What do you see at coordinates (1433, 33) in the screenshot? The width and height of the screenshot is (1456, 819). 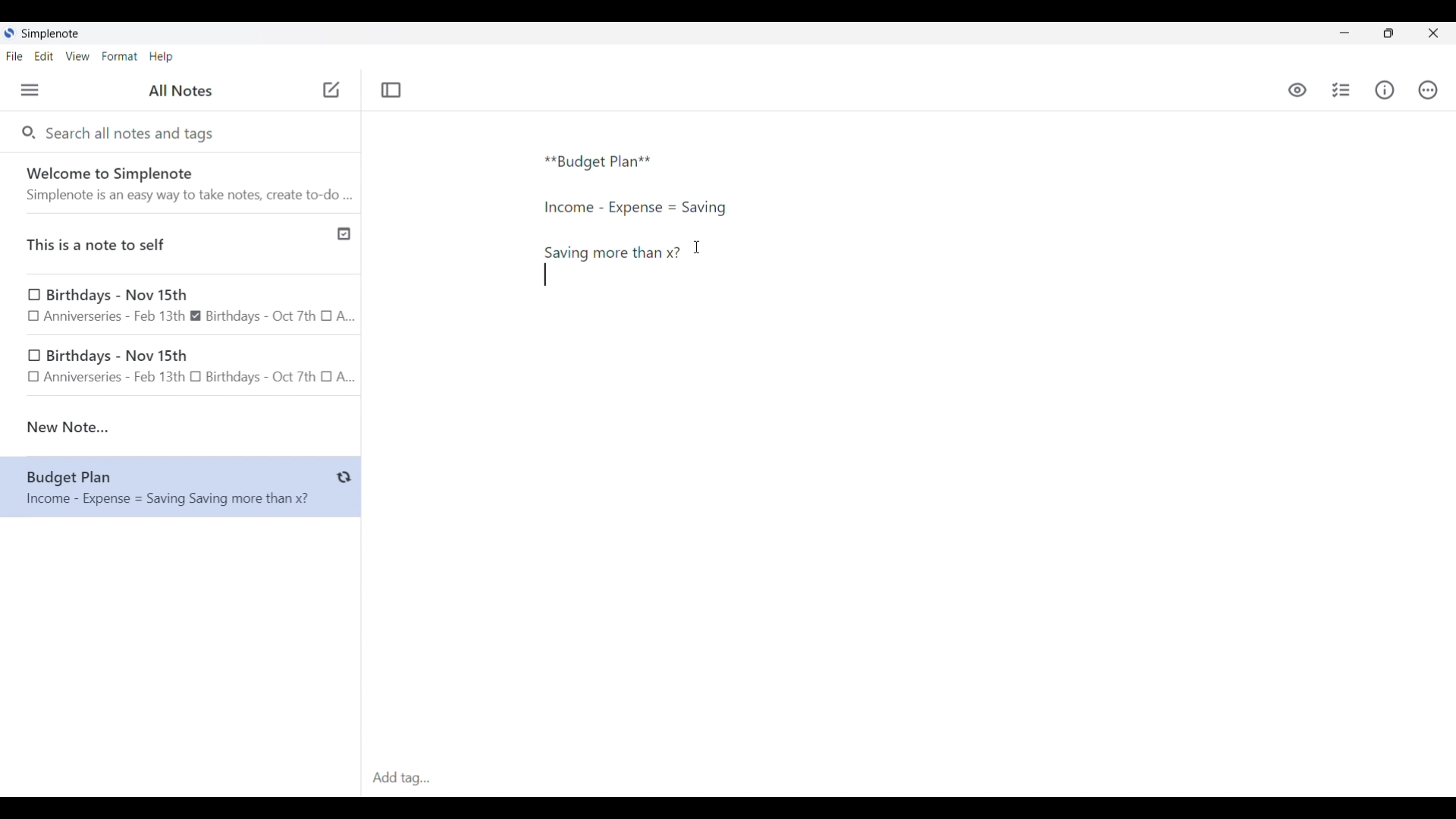 I see `Close interface` at bounding box center [1433, 33].